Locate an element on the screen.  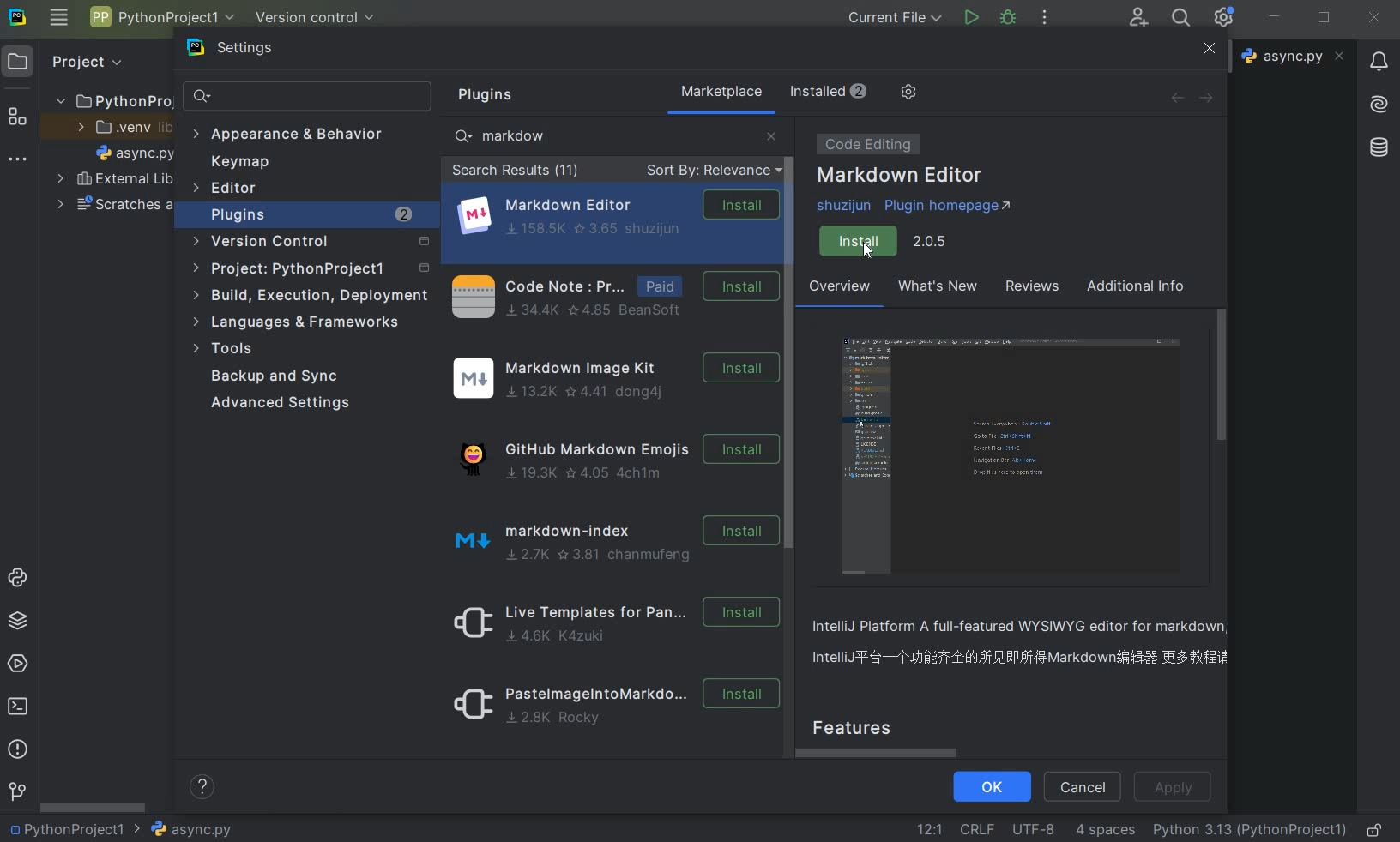
version control is located at coordinates (316, 18).